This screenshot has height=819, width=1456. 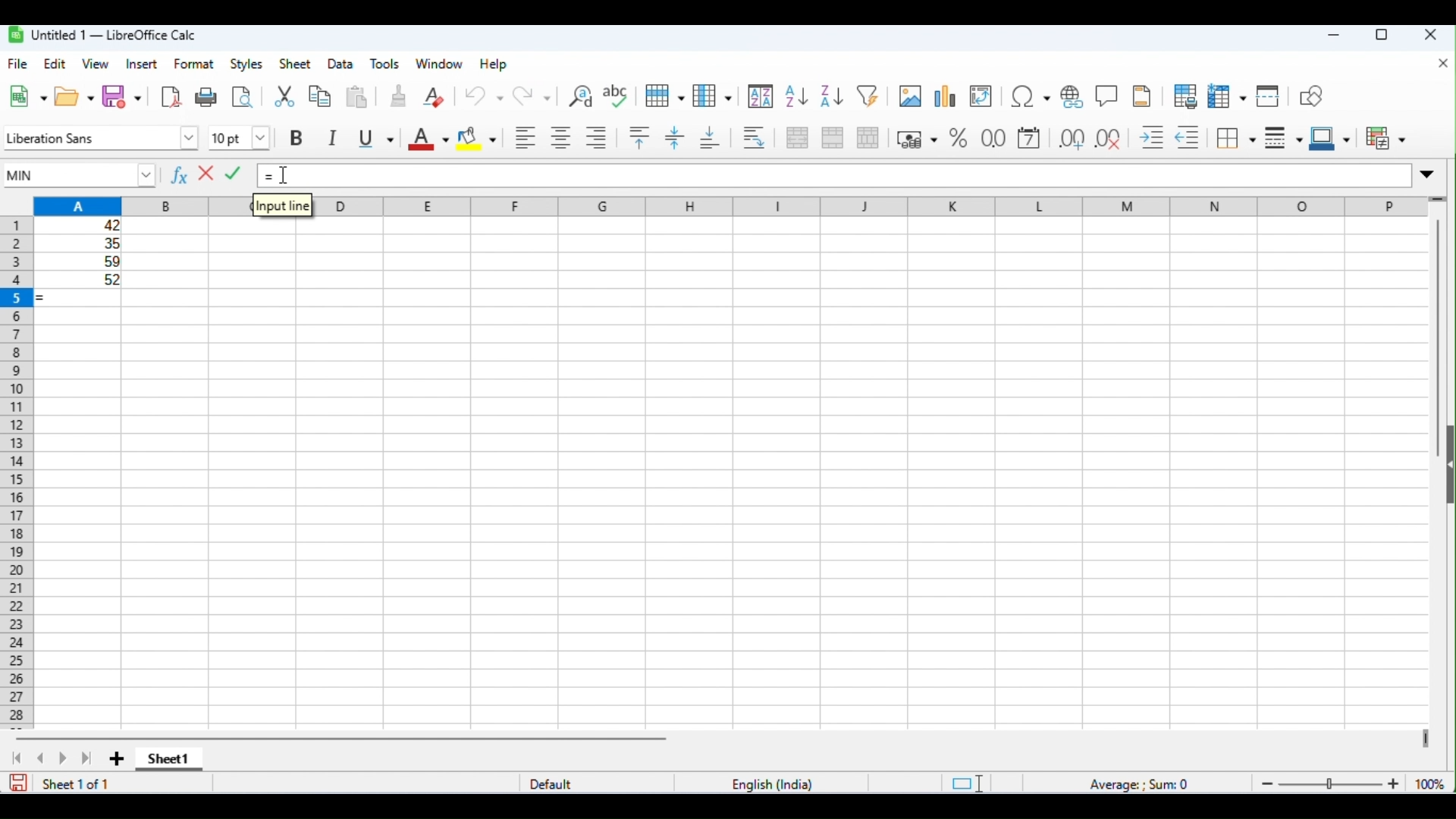 I want to click on clear direct formatting, so click(x=433, y=97).